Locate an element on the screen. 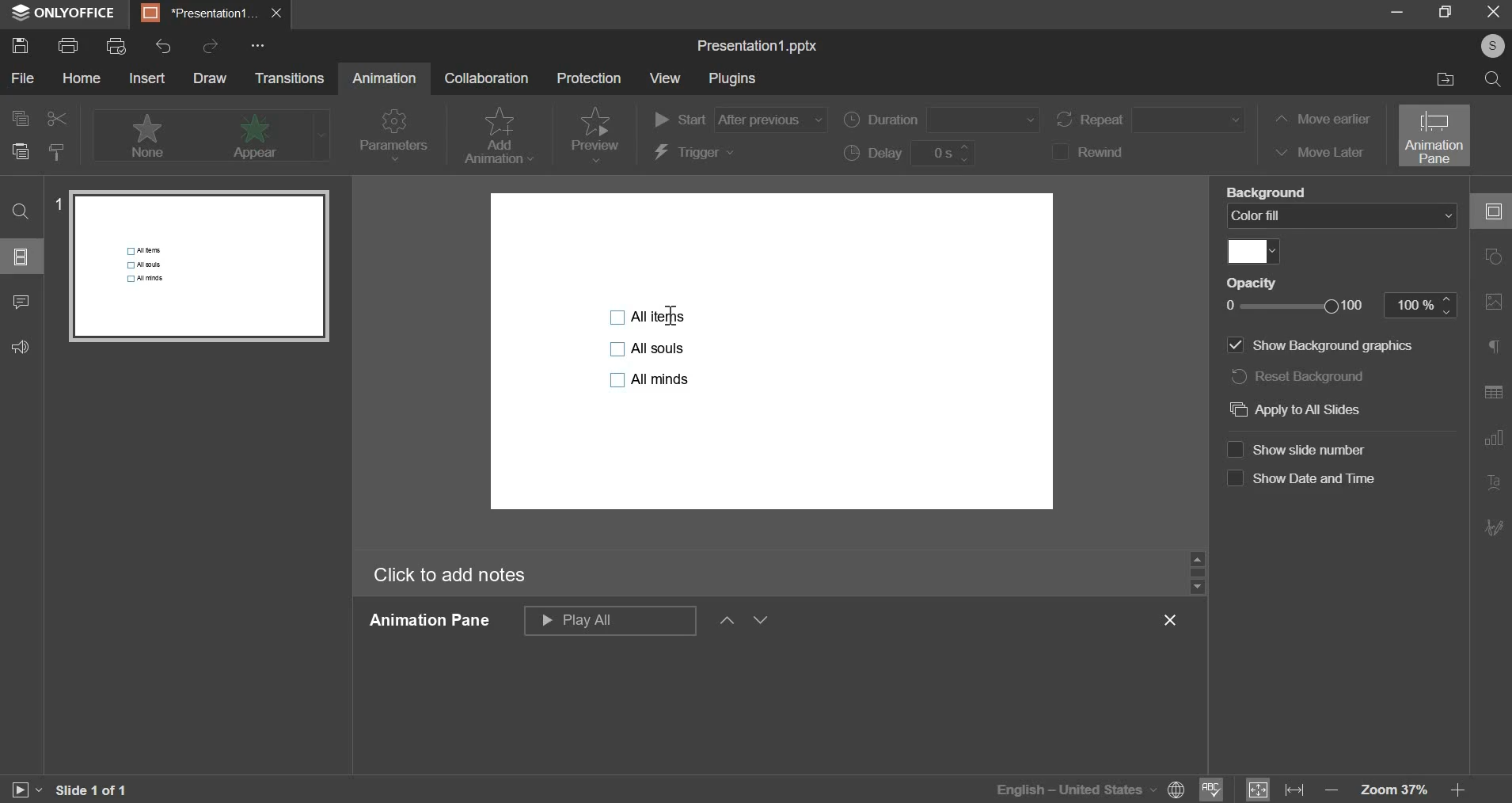 The image size is (1512, 803). print preview is located at coordinates (115, 46).